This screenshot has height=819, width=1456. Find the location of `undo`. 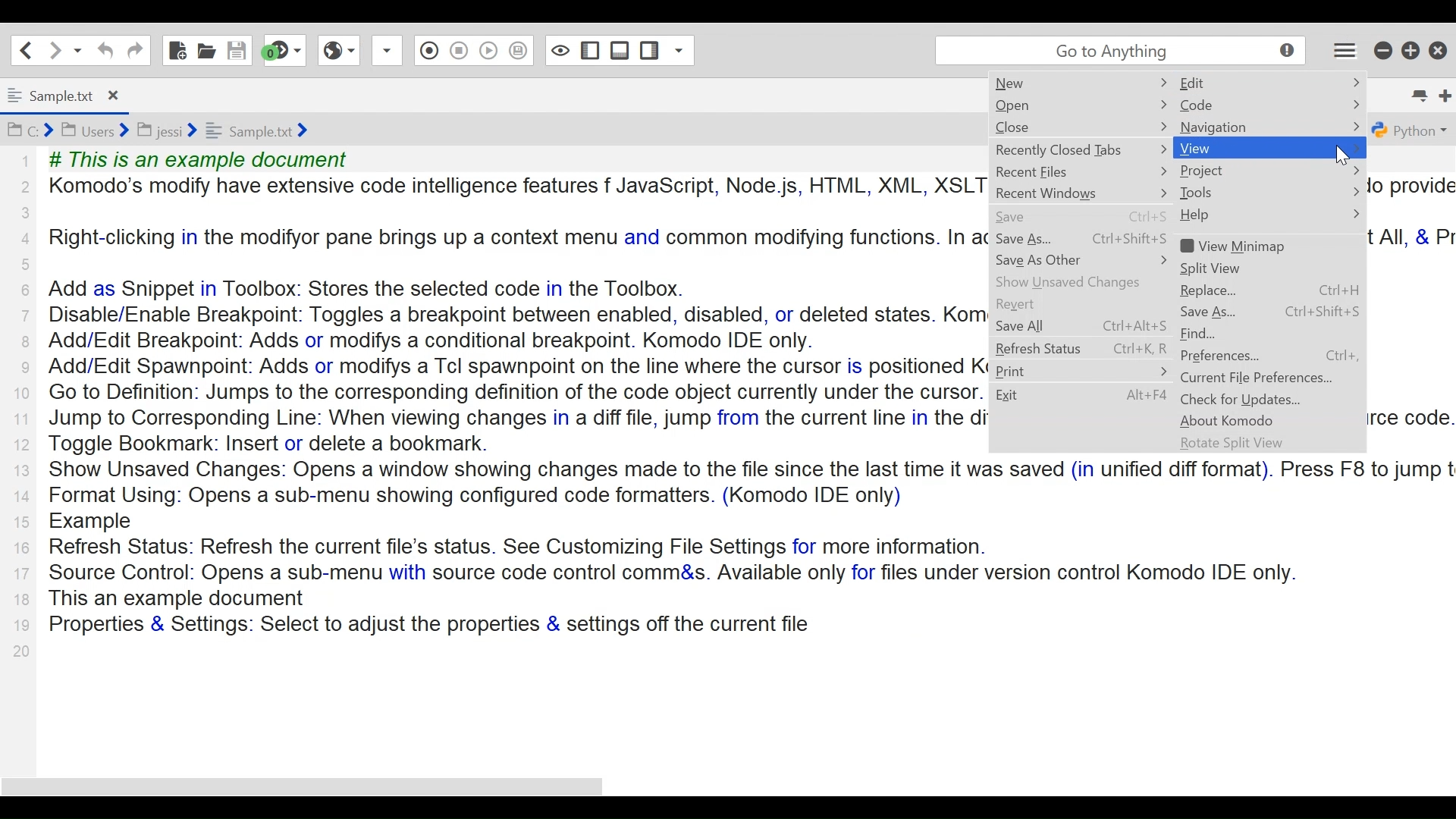

undo is located at coordinates (103, 50).